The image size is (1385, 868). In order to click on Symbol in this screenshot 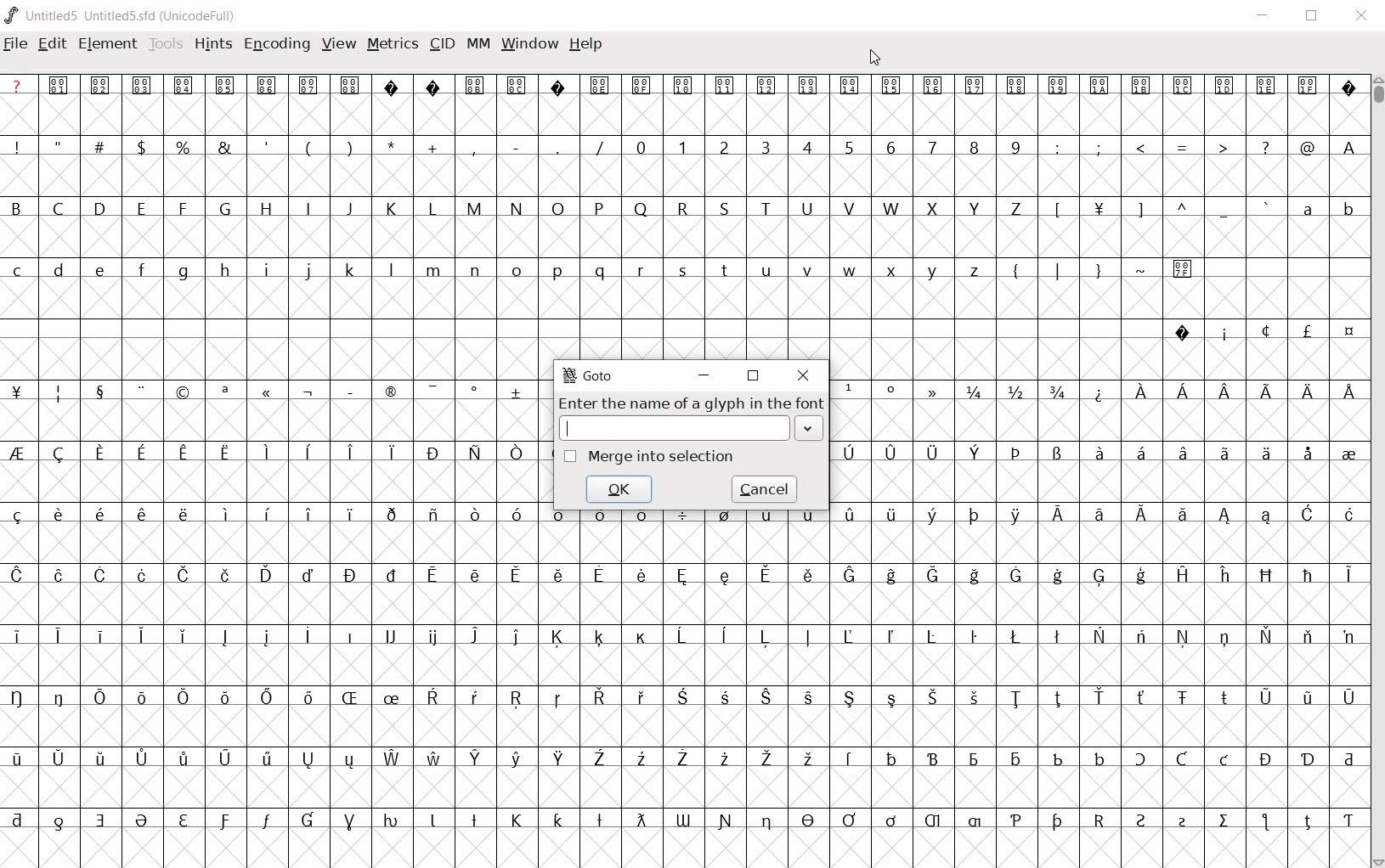, I will do `click(1308, 576)`.